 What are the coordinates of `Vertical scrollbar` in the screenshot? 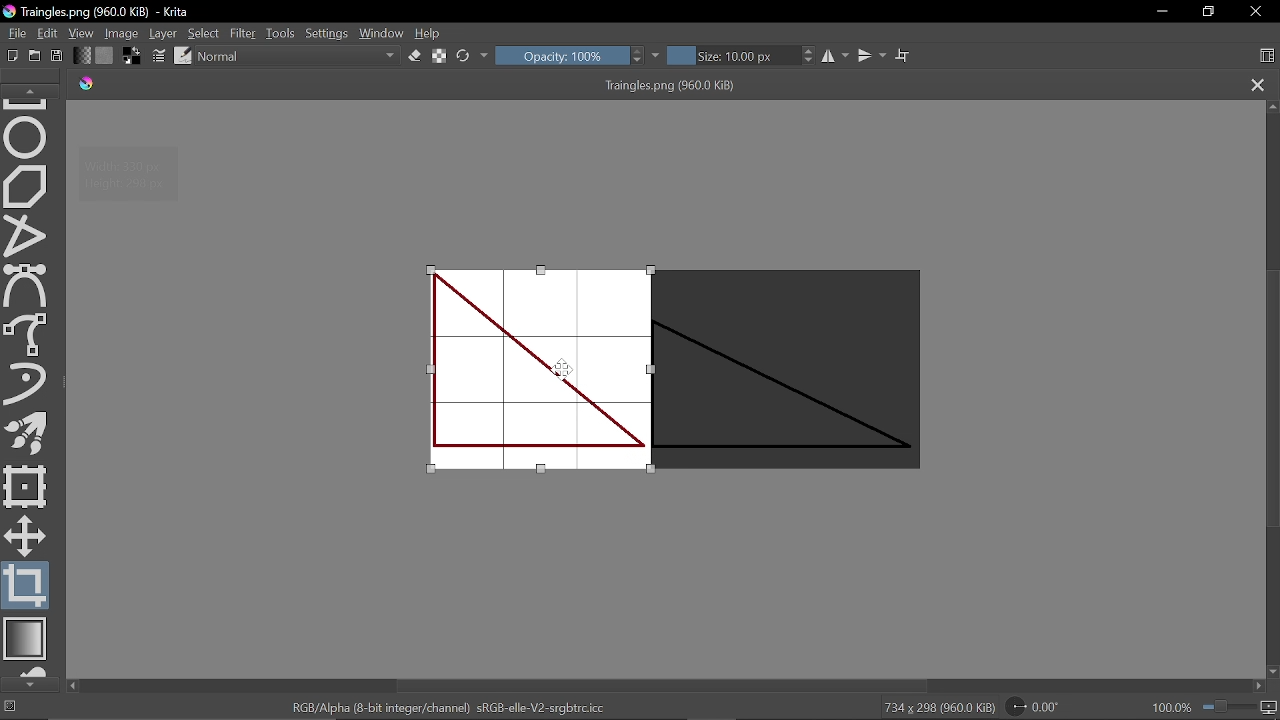 It's located at (665, 686).